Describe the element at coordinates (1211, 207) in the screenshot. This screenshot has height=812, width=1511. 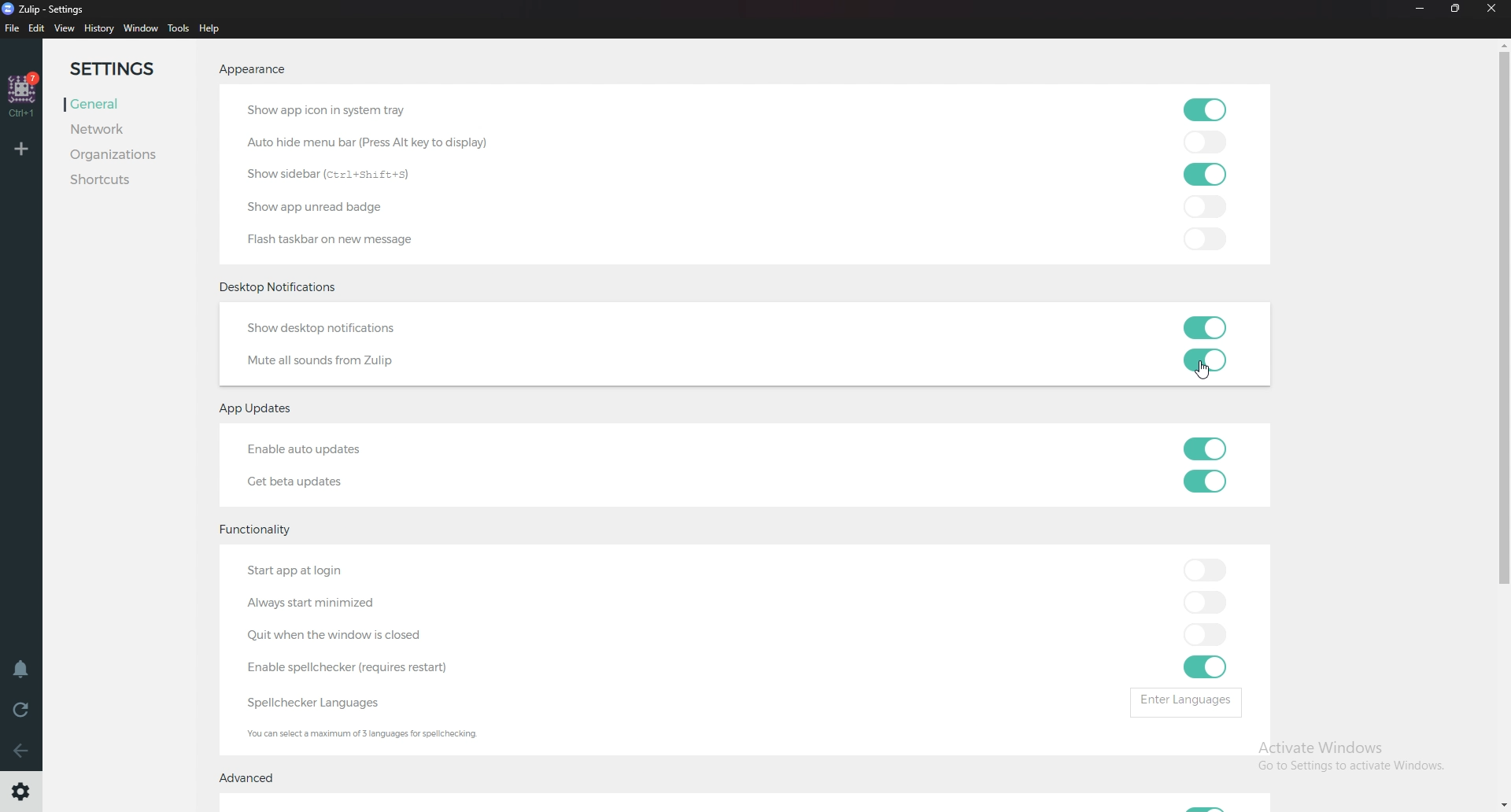
I see `toggle` at that location.